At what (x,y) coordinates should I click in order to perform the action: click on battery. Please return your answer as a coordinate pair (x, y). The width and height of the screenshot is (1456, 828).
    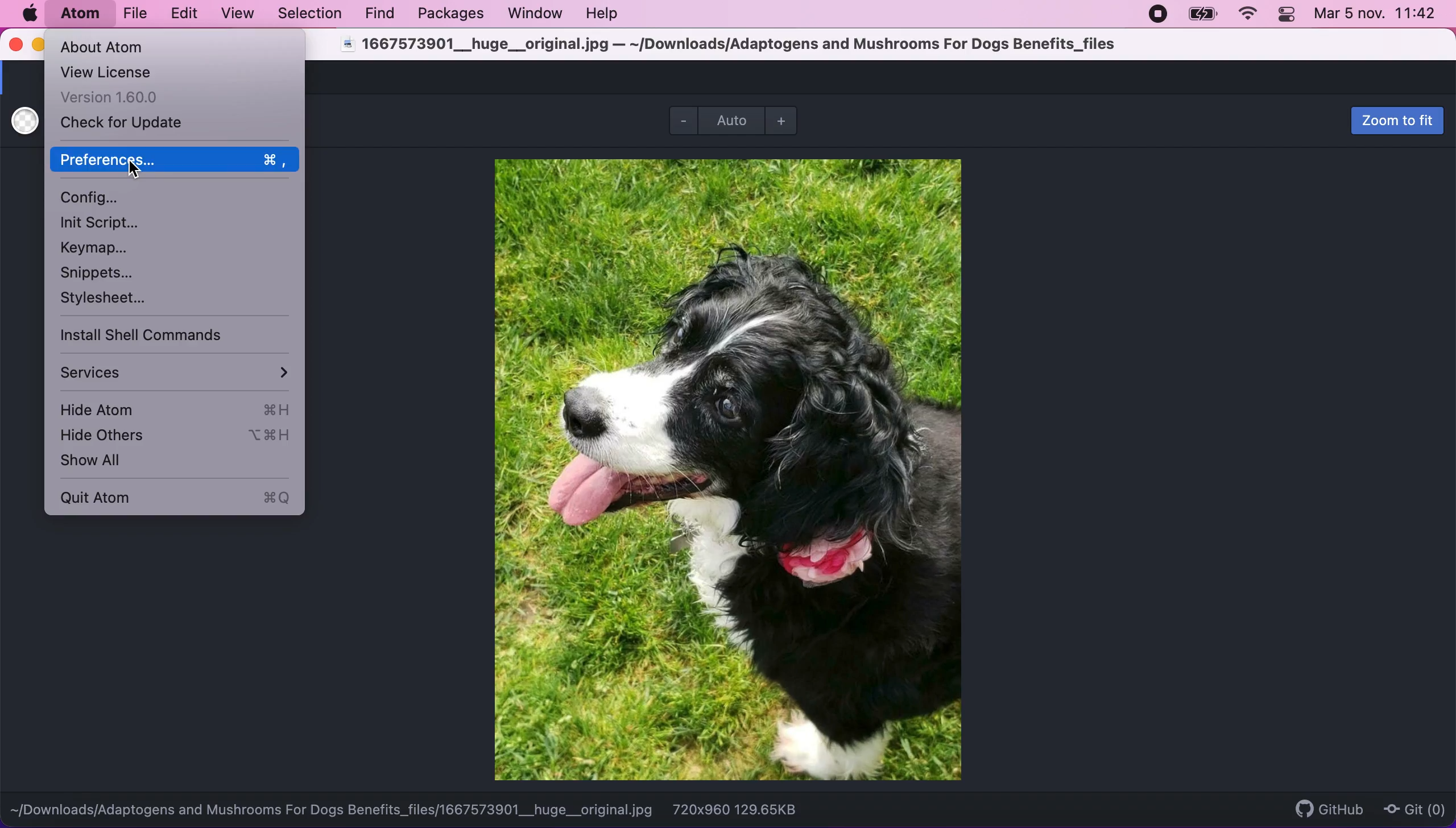
    Looking at the image, I should click on (1201, 16).